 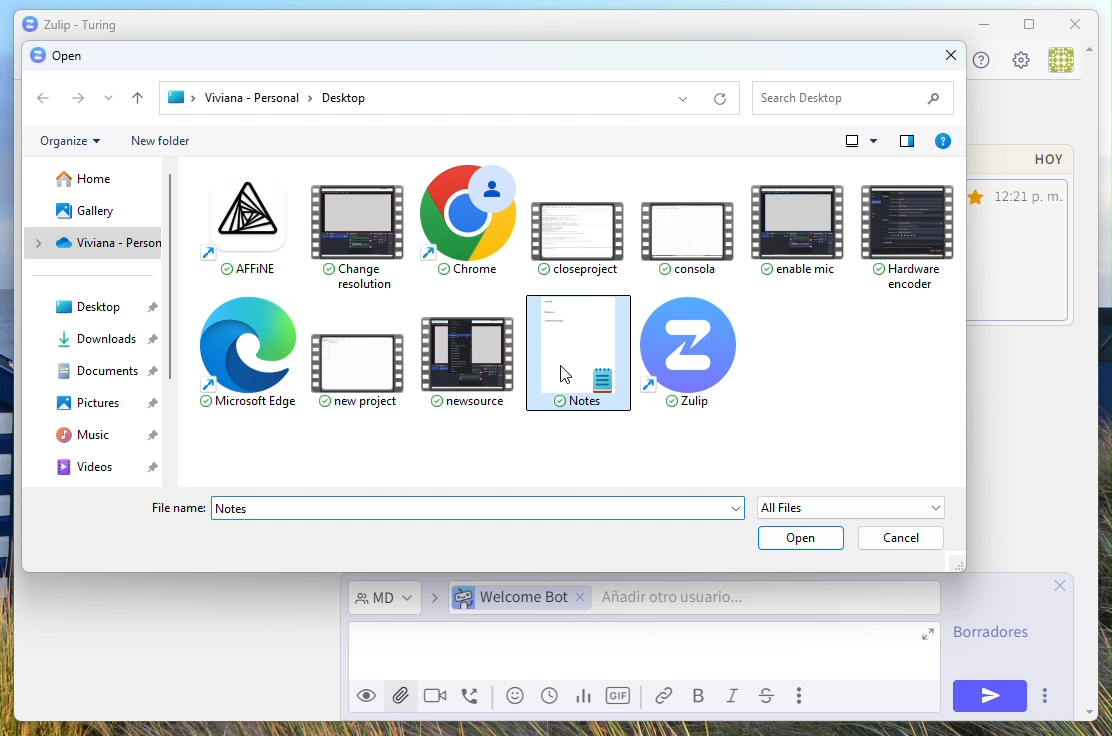 I want to click on consola, so click(x=684, y=231).